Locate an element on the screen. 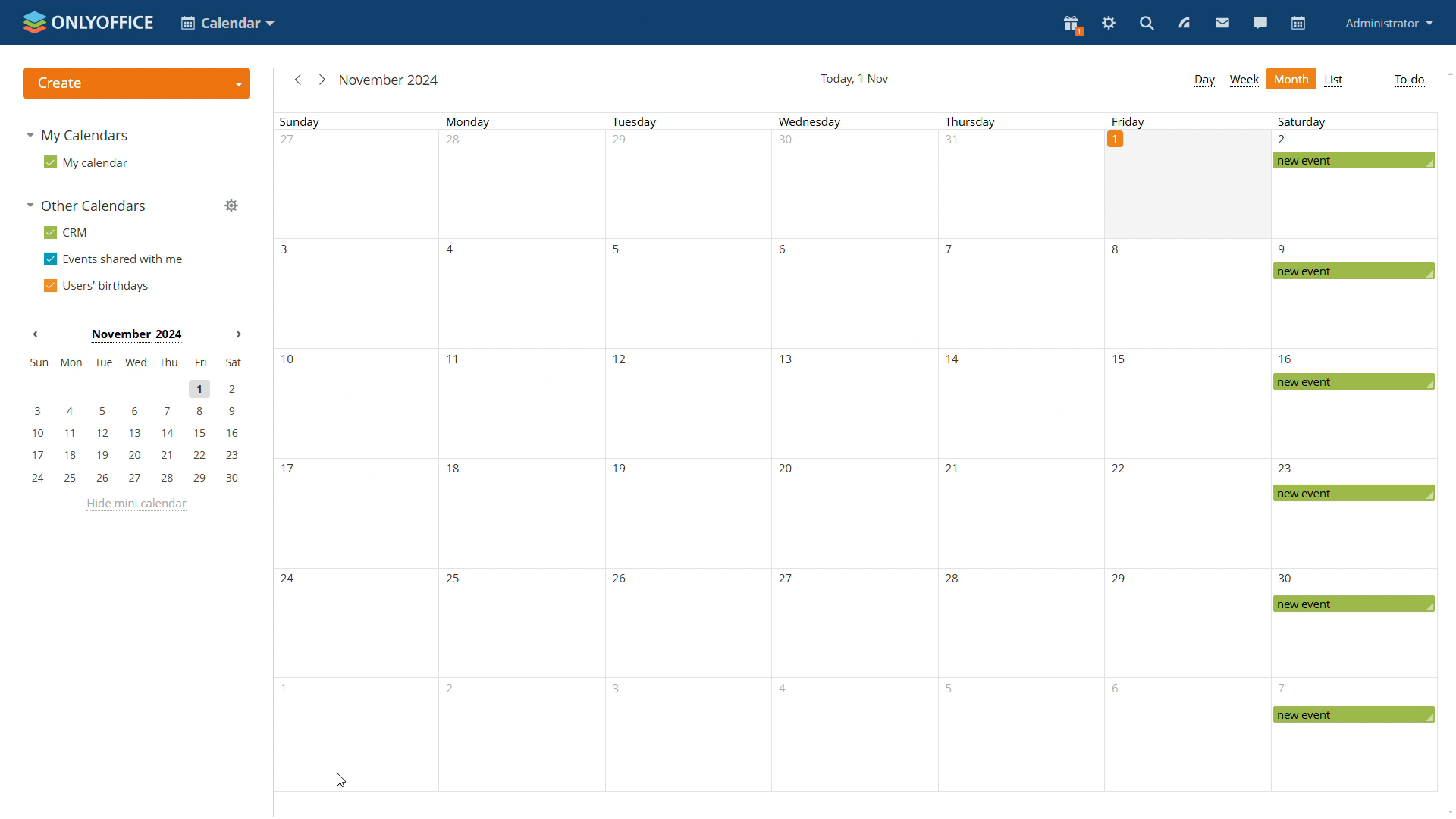 This screenshot has height=819, width=1456. mini calendar is located at coordinates (134, 420).